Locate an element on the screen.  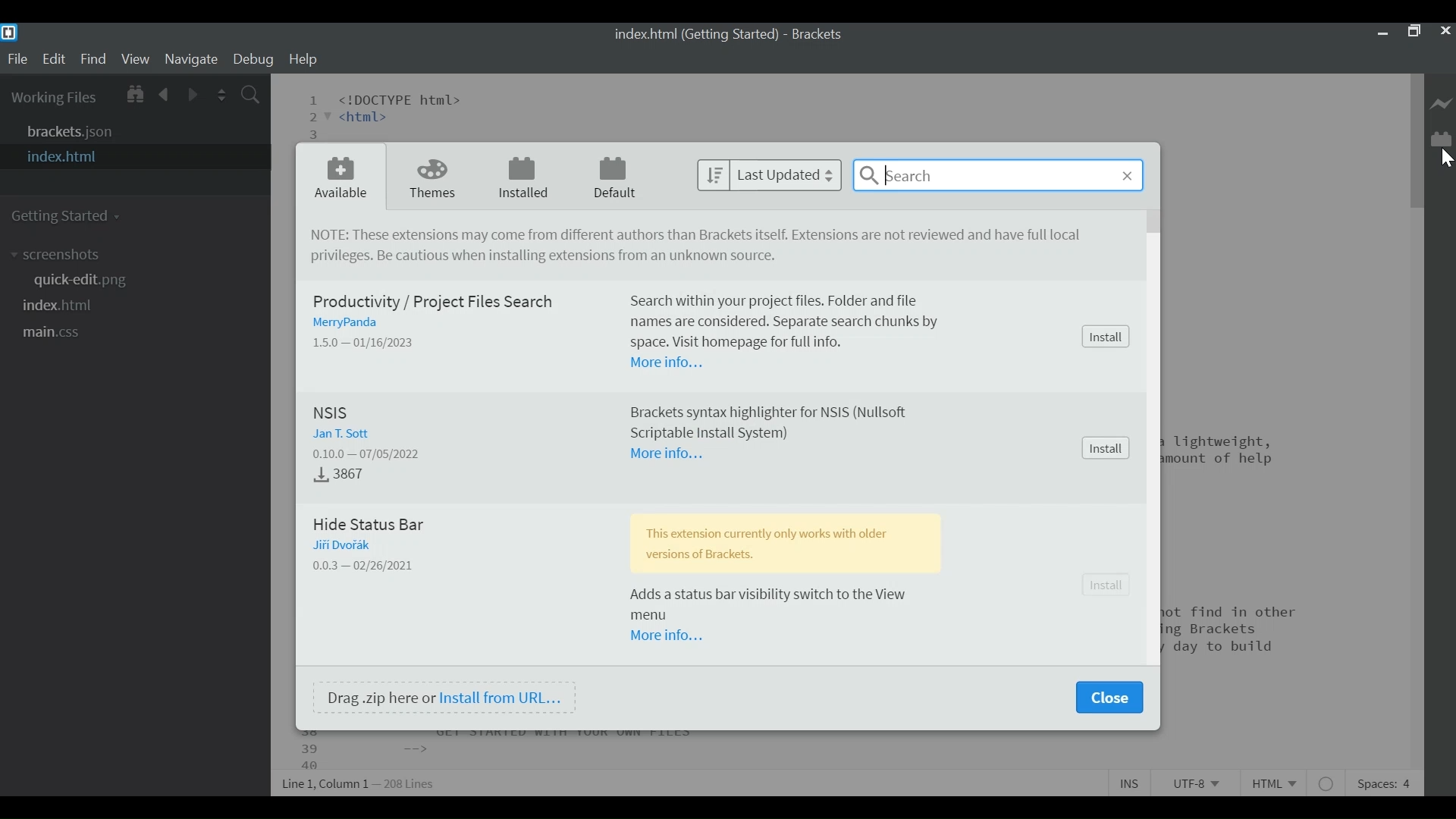
More Information is located at coordinates (666, 362).